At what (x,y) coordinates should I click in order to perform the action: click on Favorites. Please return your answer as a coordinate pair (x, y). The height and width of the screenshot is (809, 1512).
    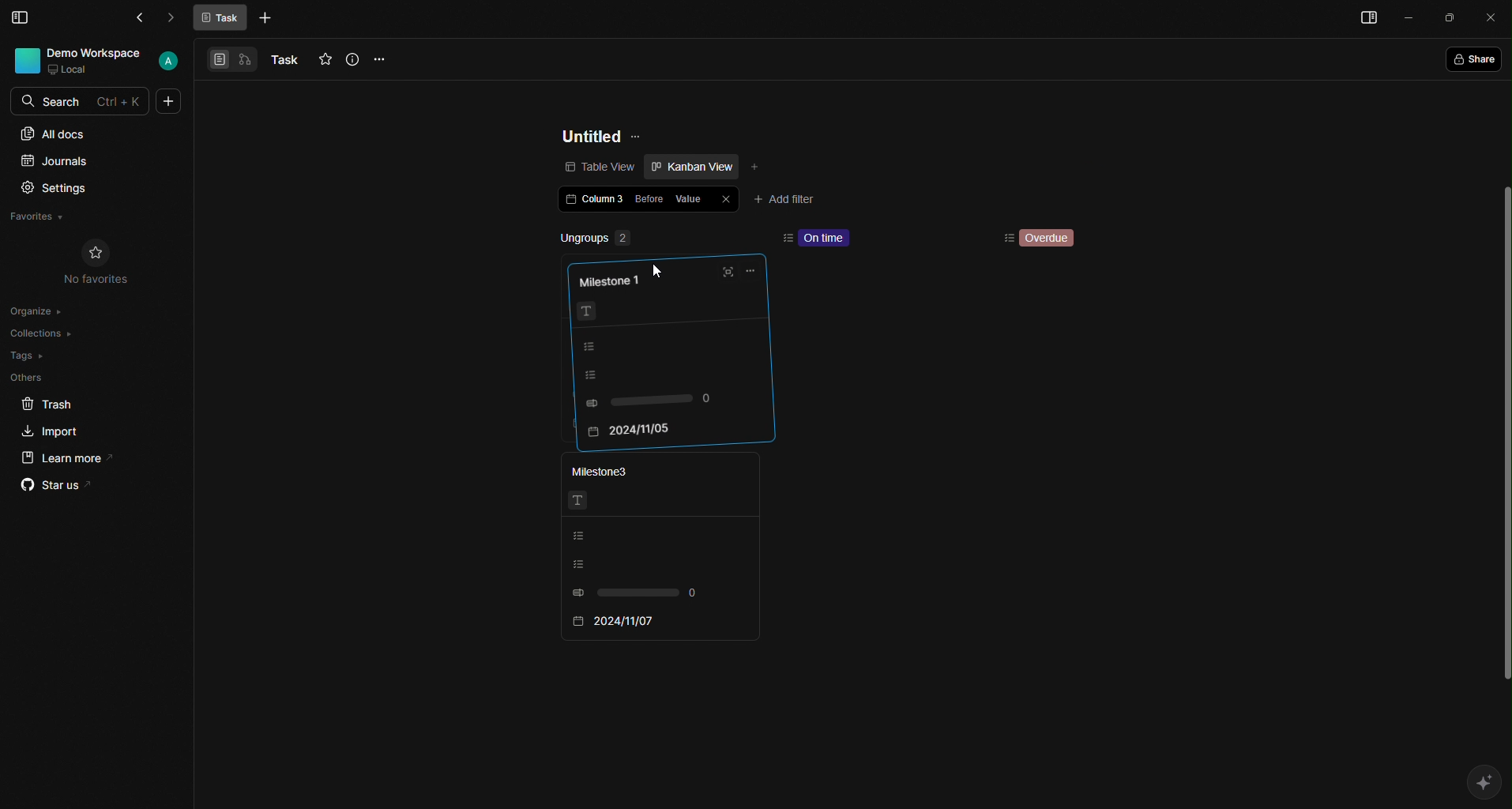
    Looking at the image, I should click on (39, 216).